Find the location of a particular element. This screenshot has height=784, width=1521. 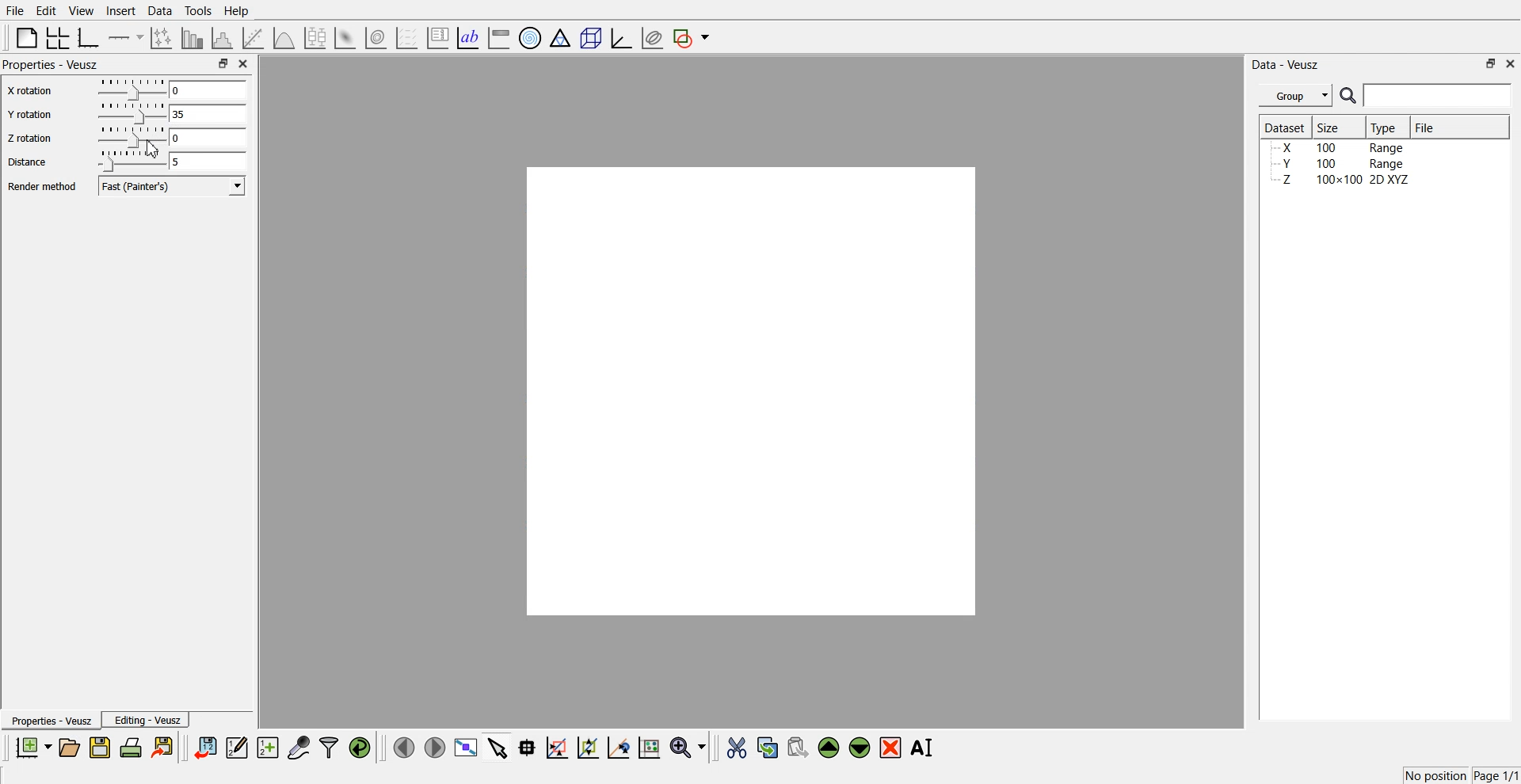

3D Scene is located at coordinates (592, 39).